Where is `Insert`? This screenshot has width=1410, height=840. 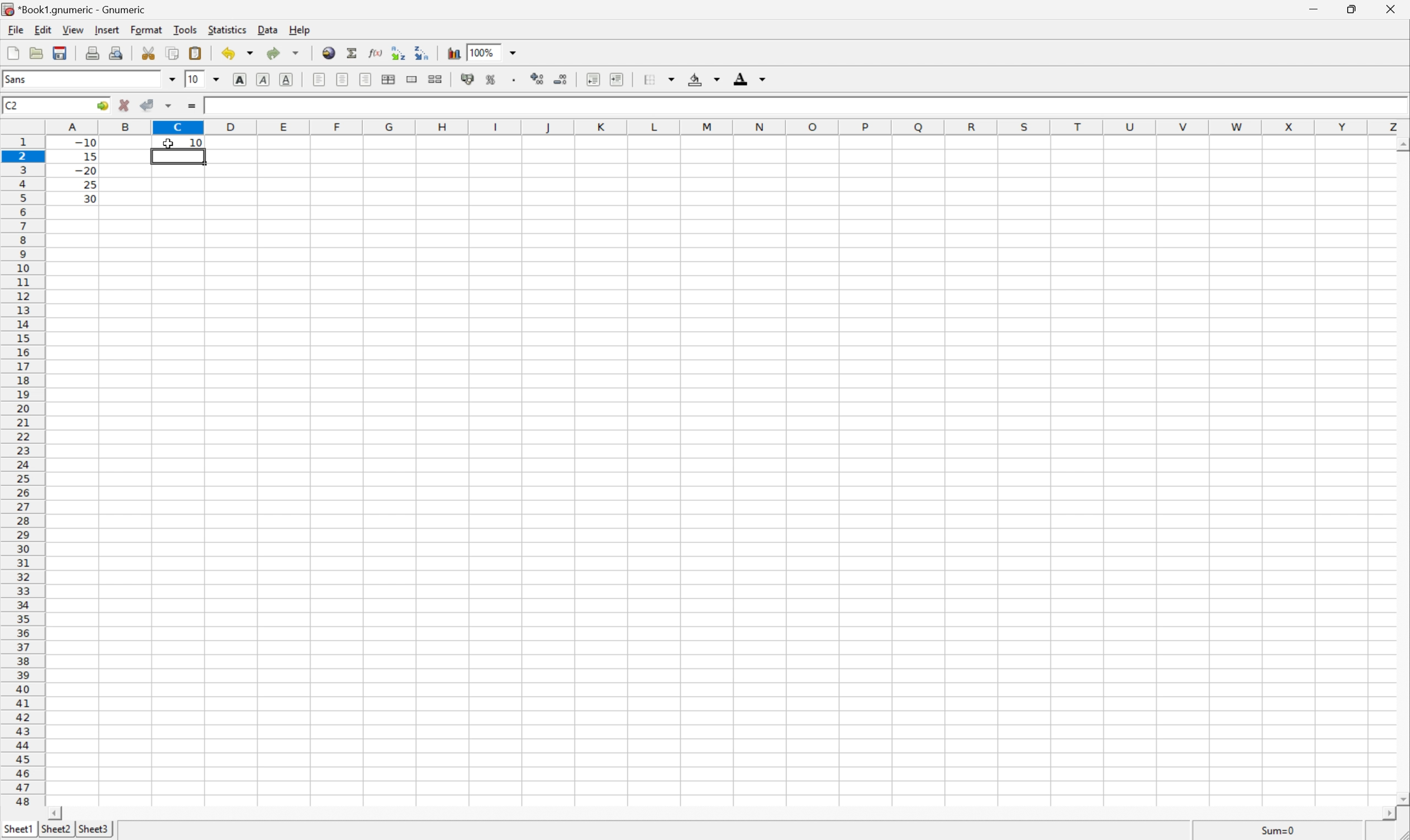
Insert is located at coordinates (108, 30).